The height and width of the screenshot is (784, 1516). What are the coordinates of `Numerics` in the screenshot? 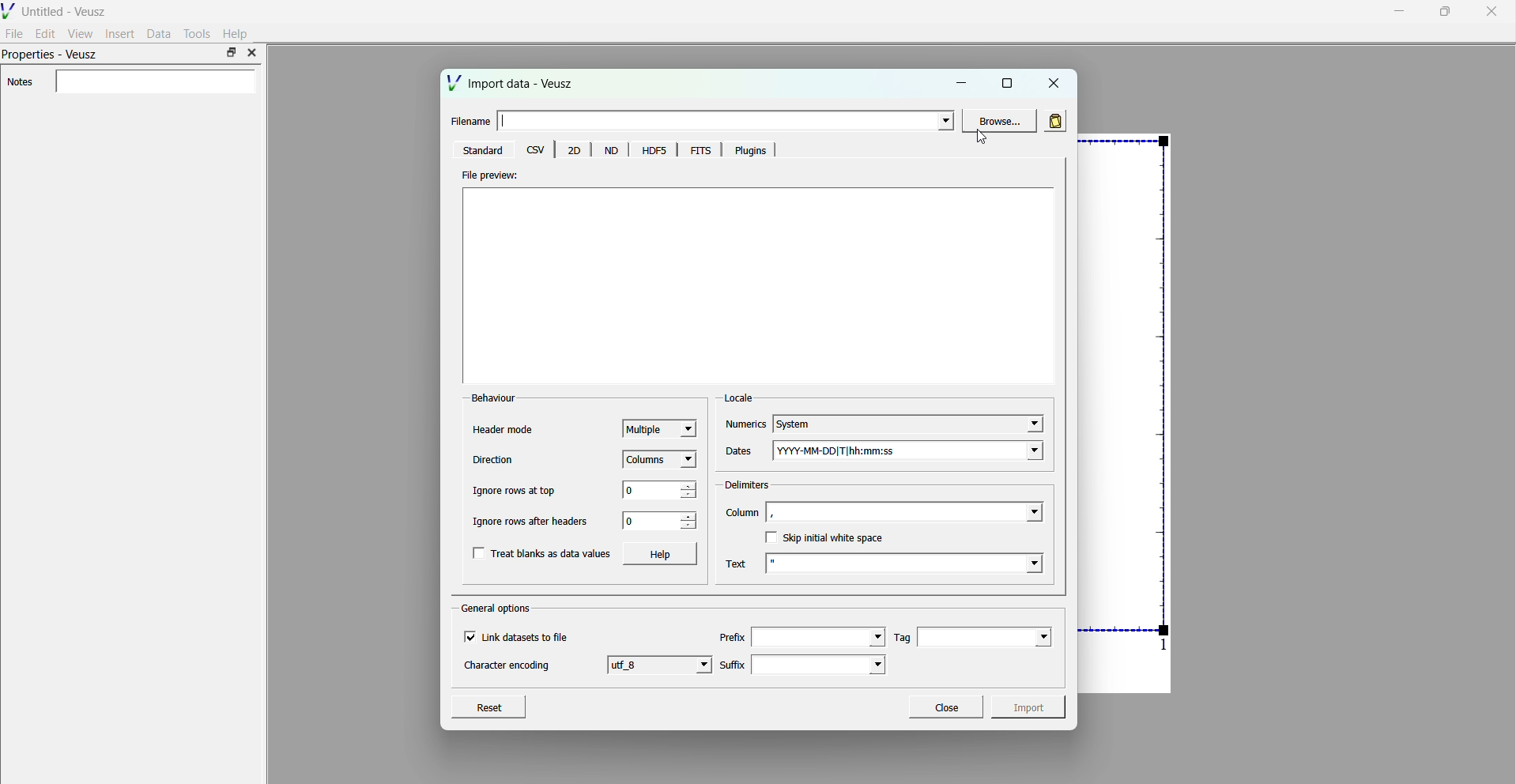 It's located at (745, 425).